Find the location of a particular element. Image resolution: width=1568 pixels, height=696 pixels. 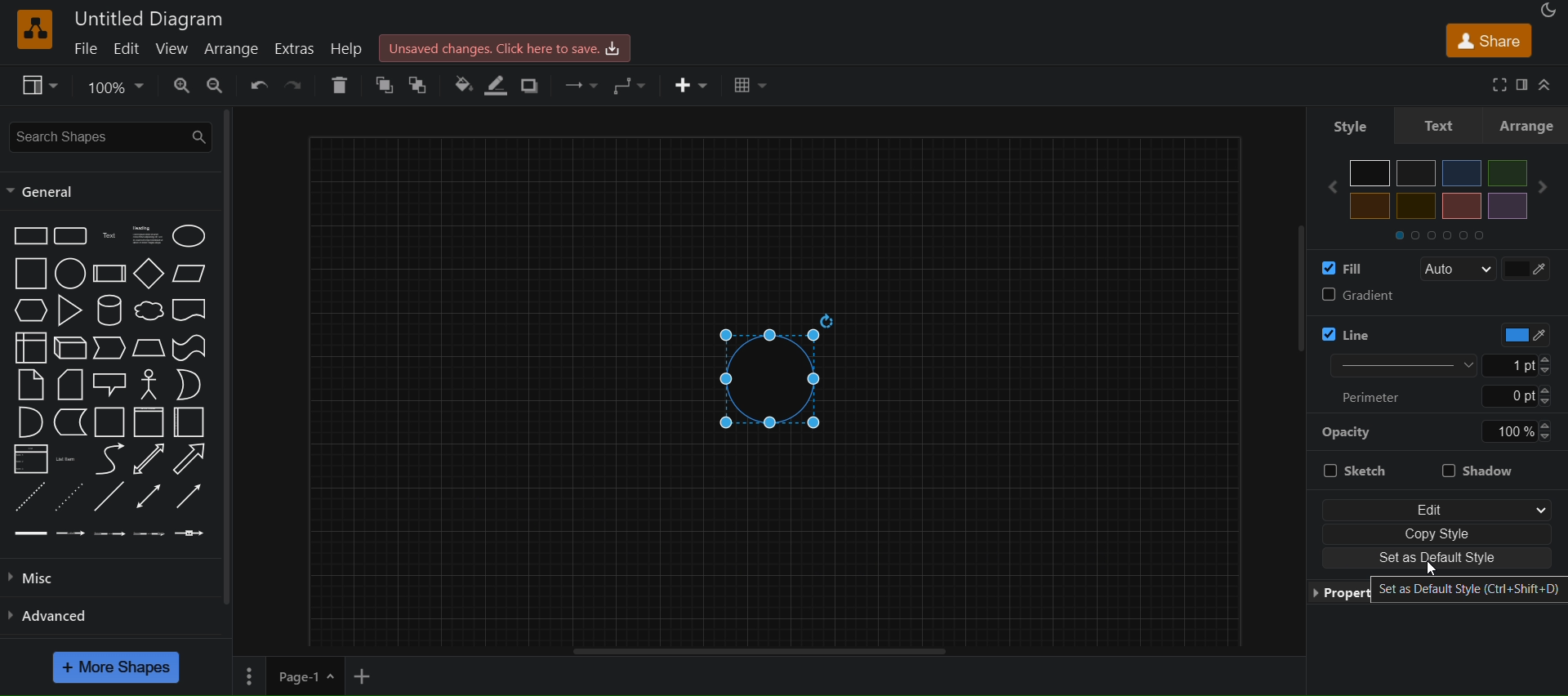

title is located at coordinates (150, 18).